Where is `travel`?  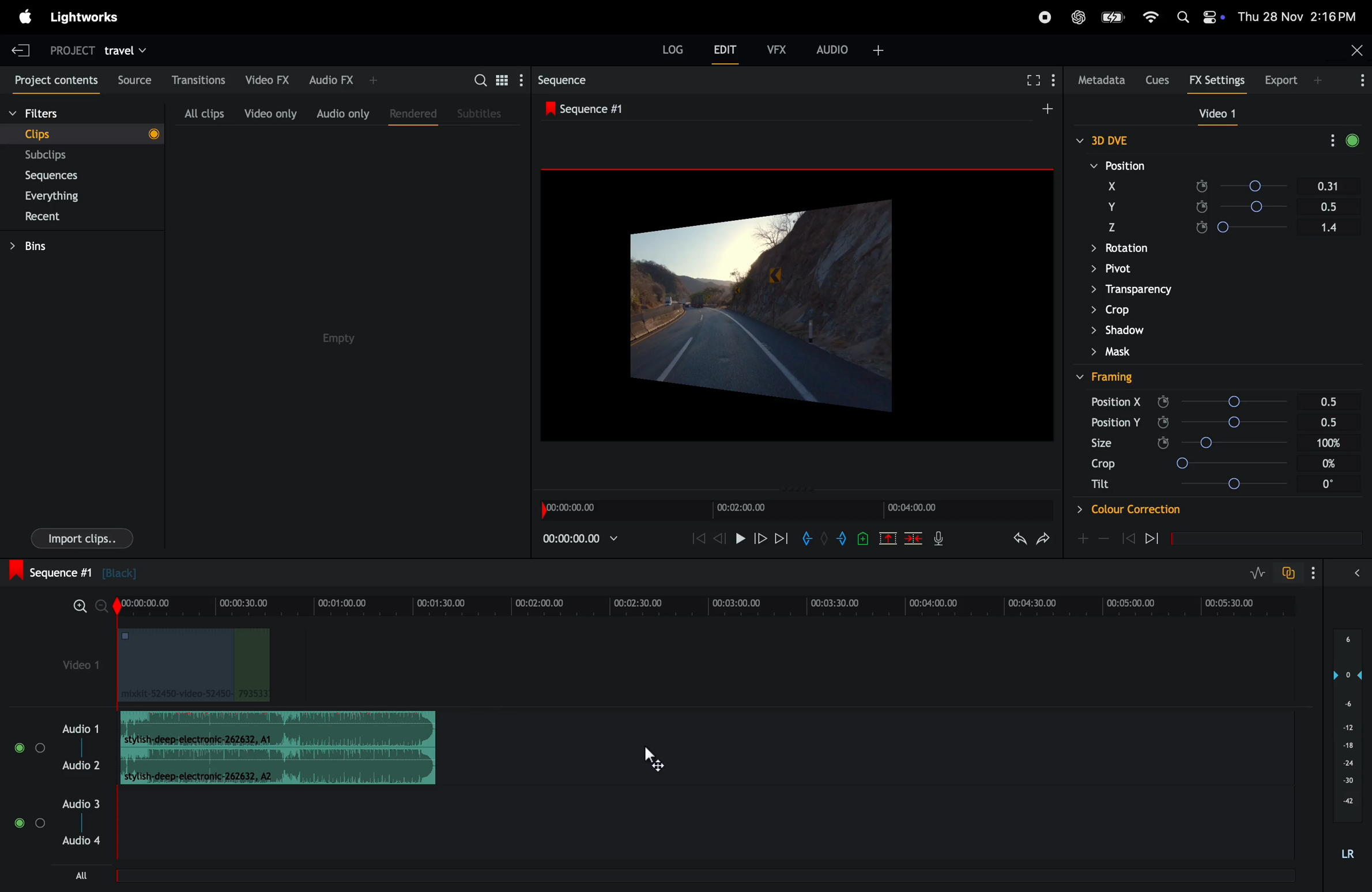 travel is located at coordinates (126, 50).